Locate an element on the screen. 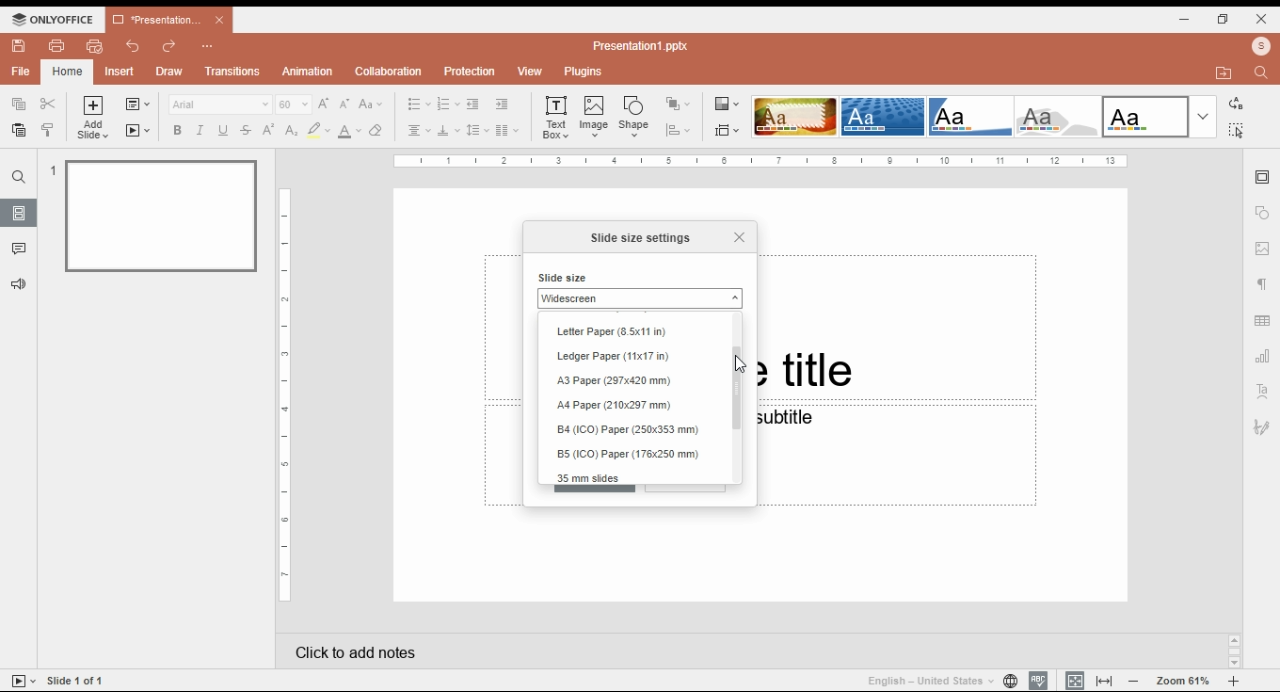 This screenshot has height=692, width=1280. strikethrough is located at coordinates (246, 130).